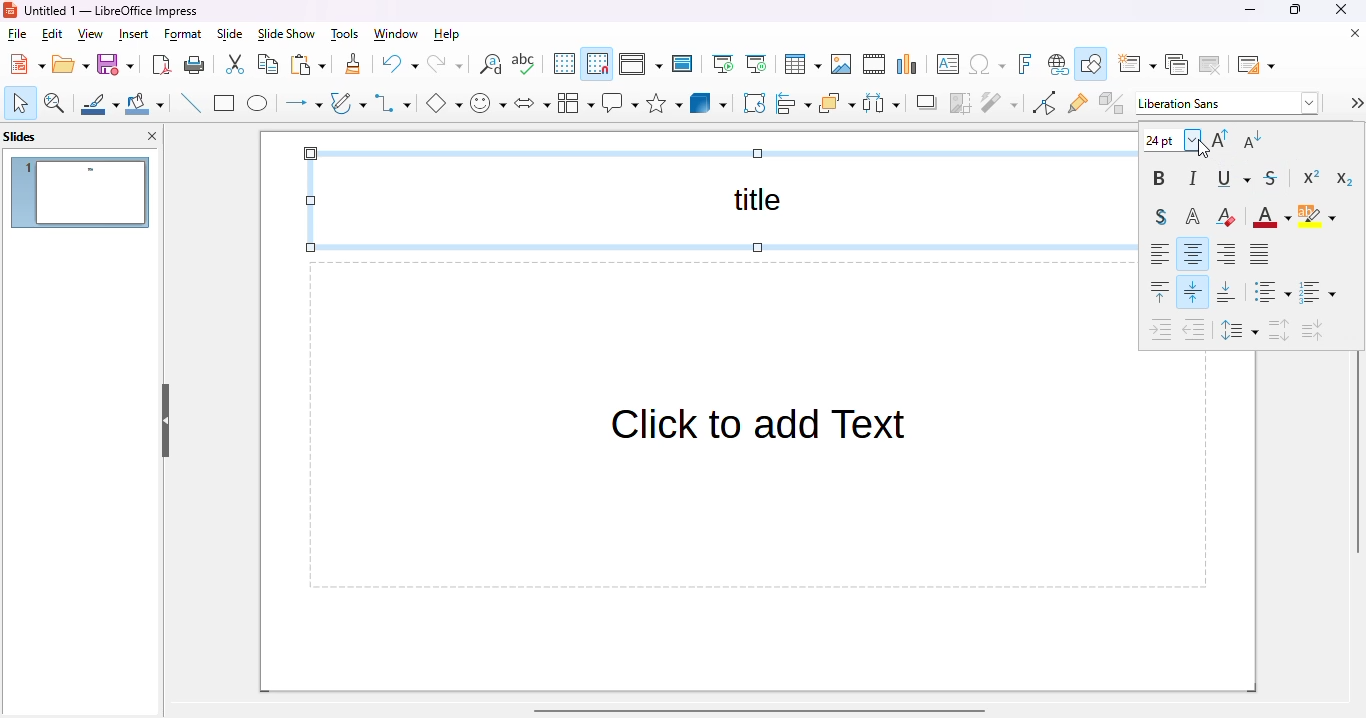 Image resolution: width=1366 pixels, height=718 pixels. Describe the element at coordinates (21, 137) in the screenshot. I see `slides` at that location.